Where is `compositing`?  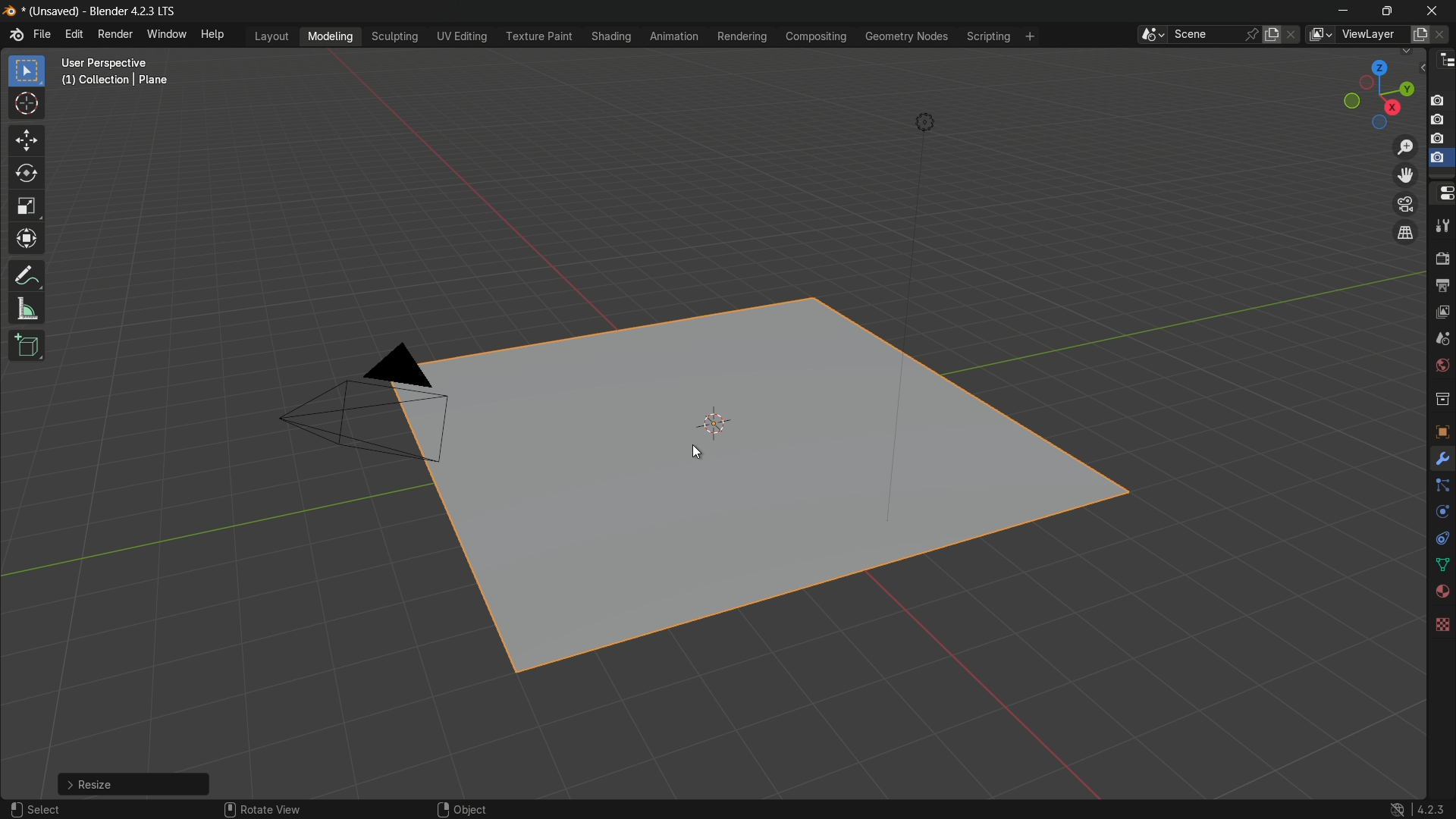
compositing is located at coordinates (815, 37).